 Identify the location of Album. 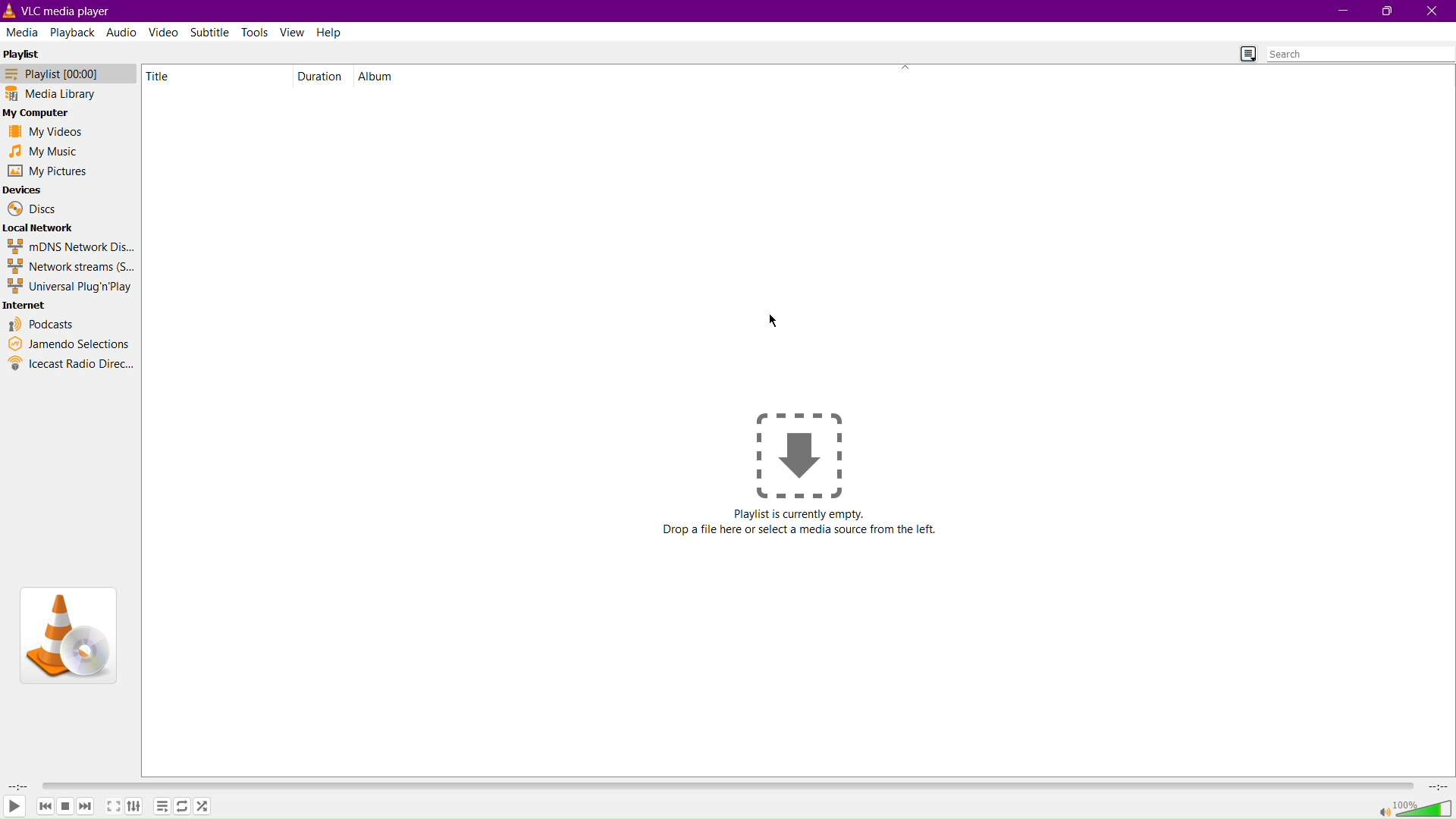
(380, 76).